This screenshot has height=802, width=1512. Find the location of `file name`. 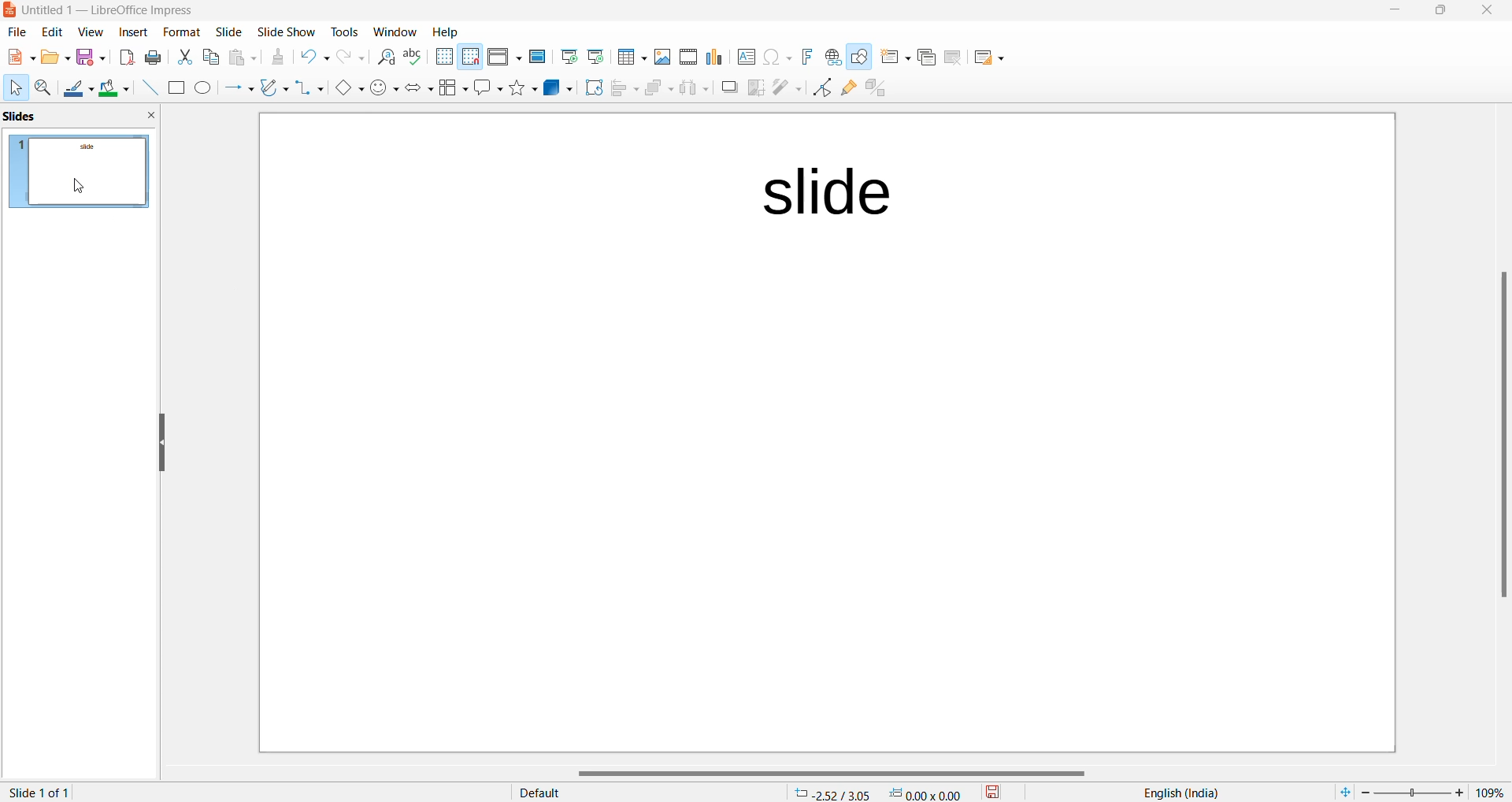

file name is located at coordinates (103, 12).